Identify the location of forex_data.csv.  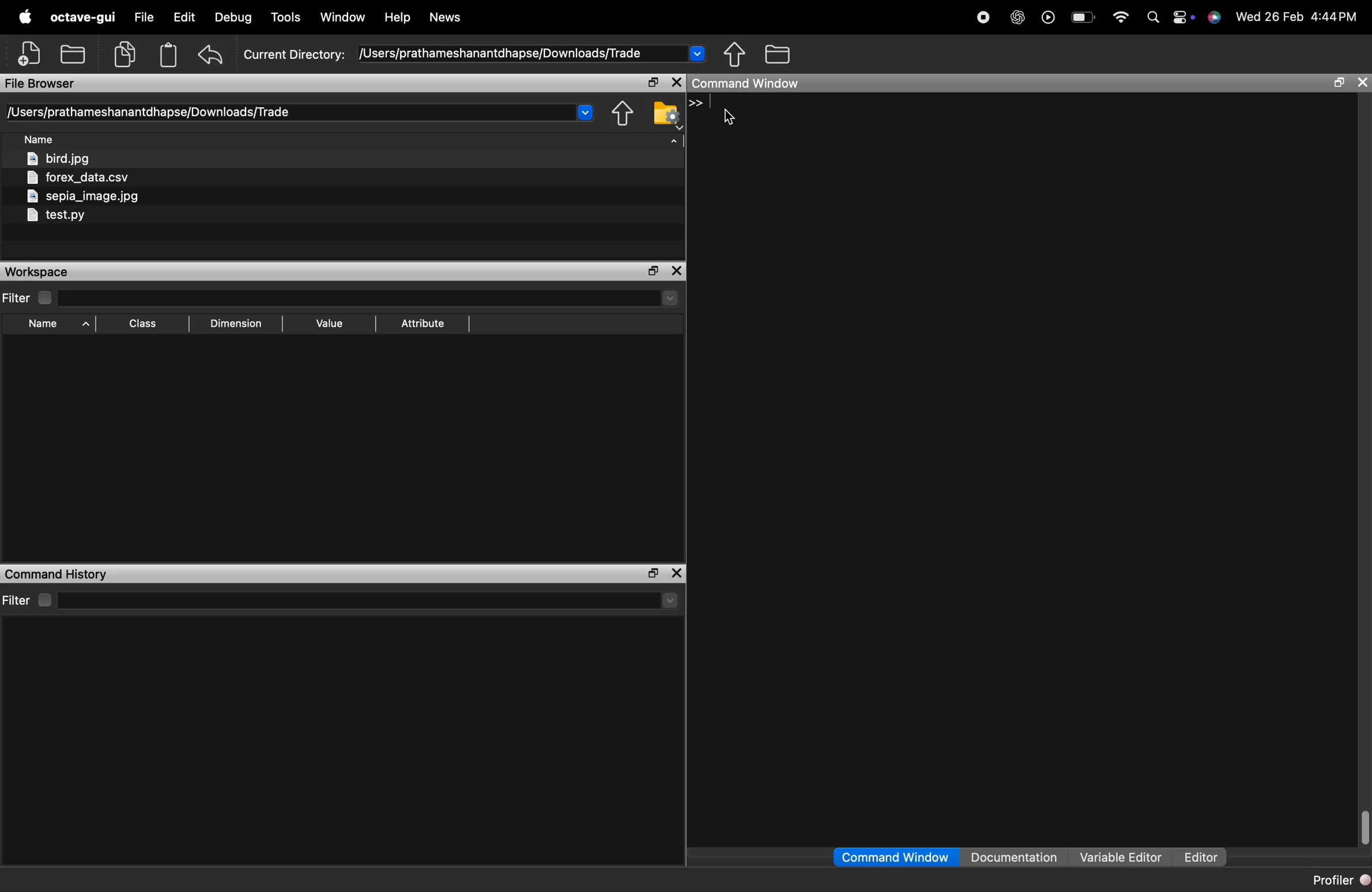
(77, 177).